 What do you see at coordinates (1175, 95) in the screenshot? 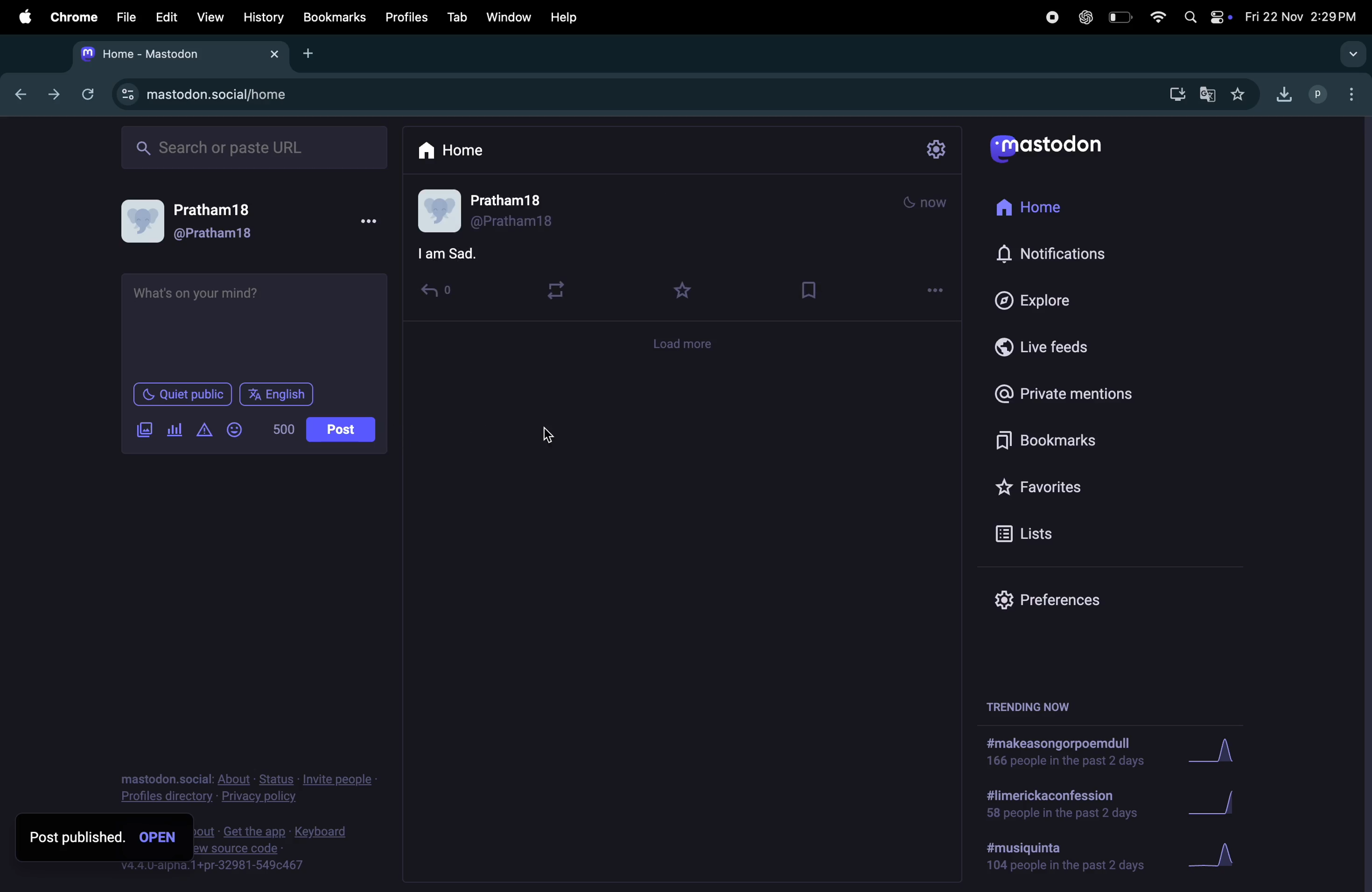
I see `download` at bounding box center [1175, 95].